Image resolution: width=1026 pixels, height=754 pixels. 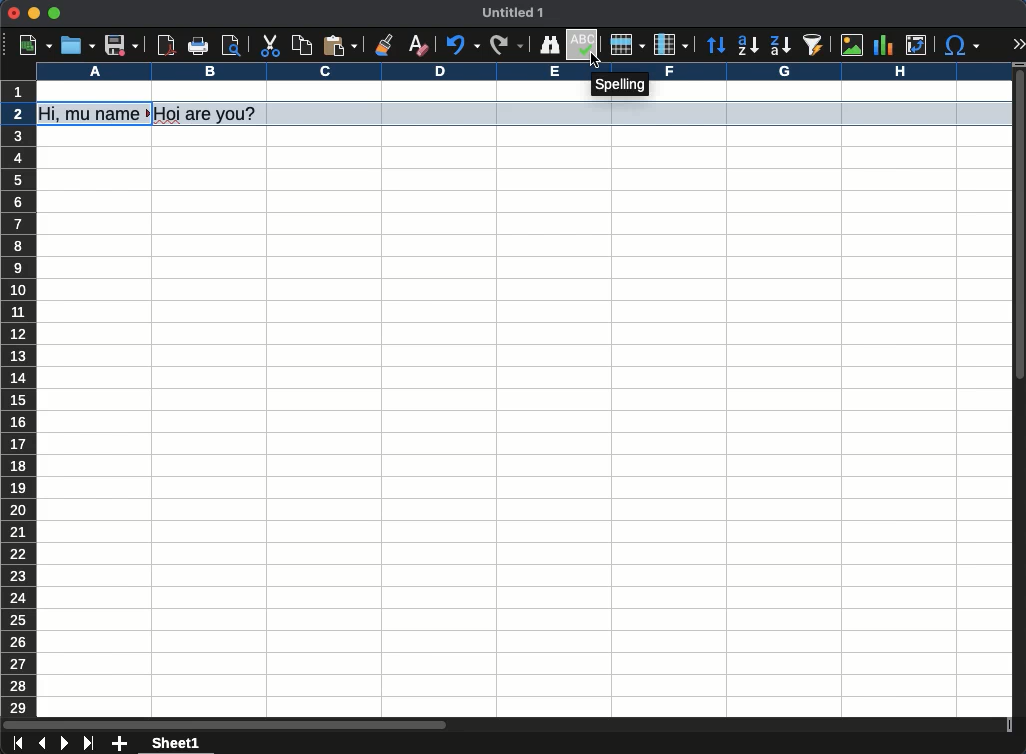 I want to click on pdf preview, so click(x=167, y=45).